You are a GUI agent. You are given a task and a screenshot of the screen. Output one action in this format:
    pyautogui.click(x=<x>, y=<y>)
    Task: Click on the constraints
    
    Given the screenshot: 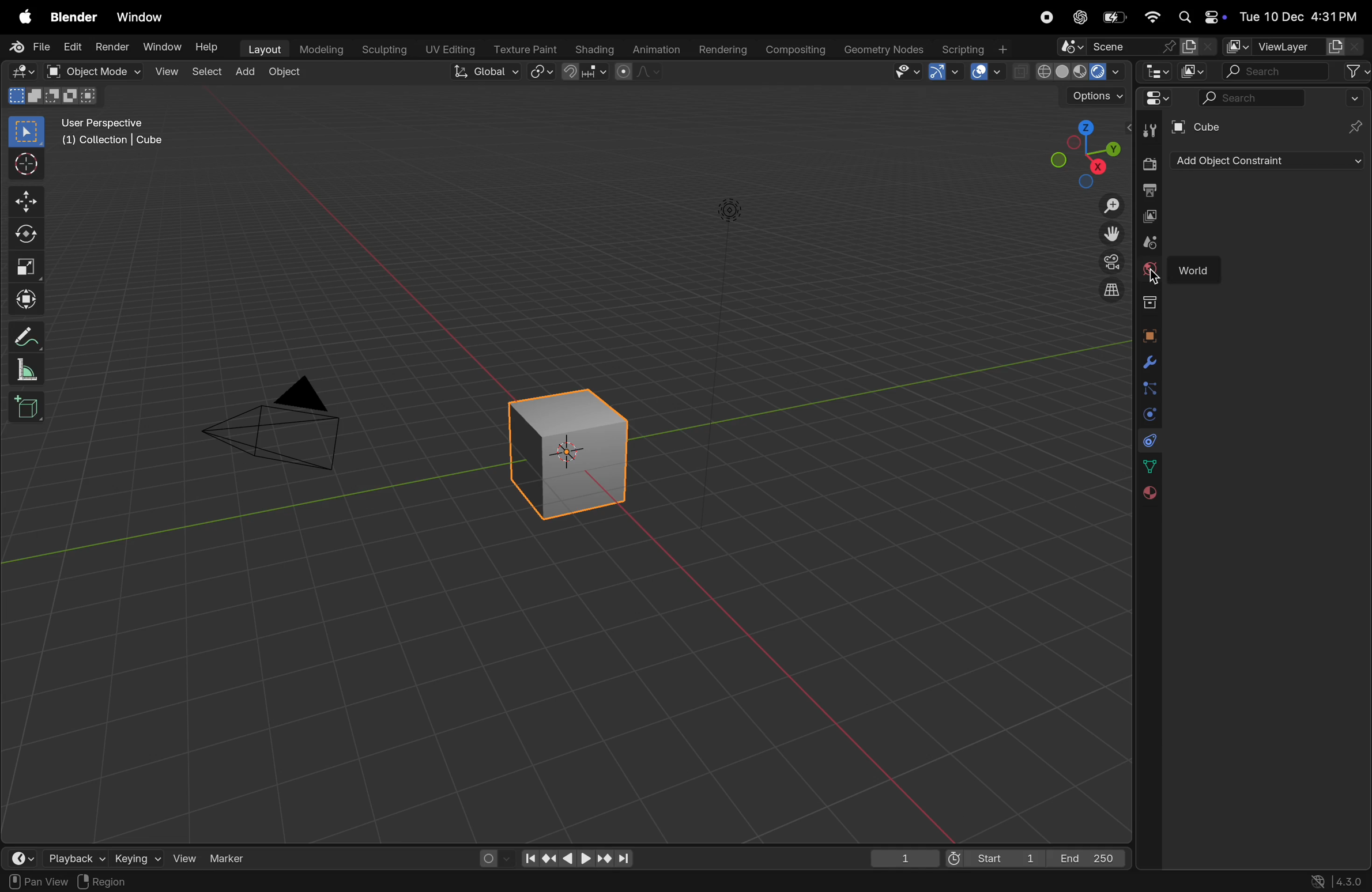 What is the action you would take?
    pyautogui.click(x=1148, y=440)
    